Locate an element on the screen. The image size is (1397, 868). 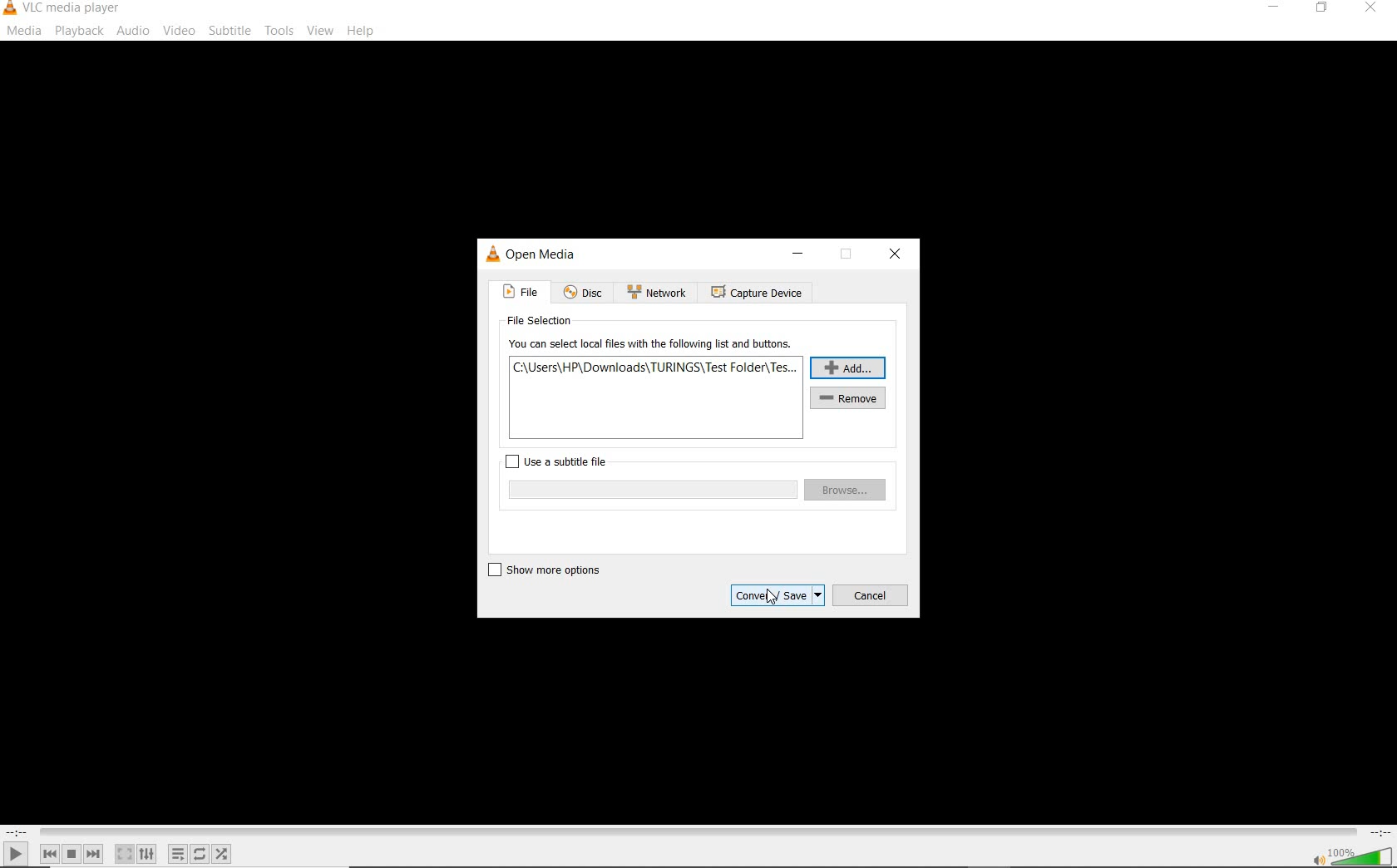
close is located at coordinates (1369, 11).